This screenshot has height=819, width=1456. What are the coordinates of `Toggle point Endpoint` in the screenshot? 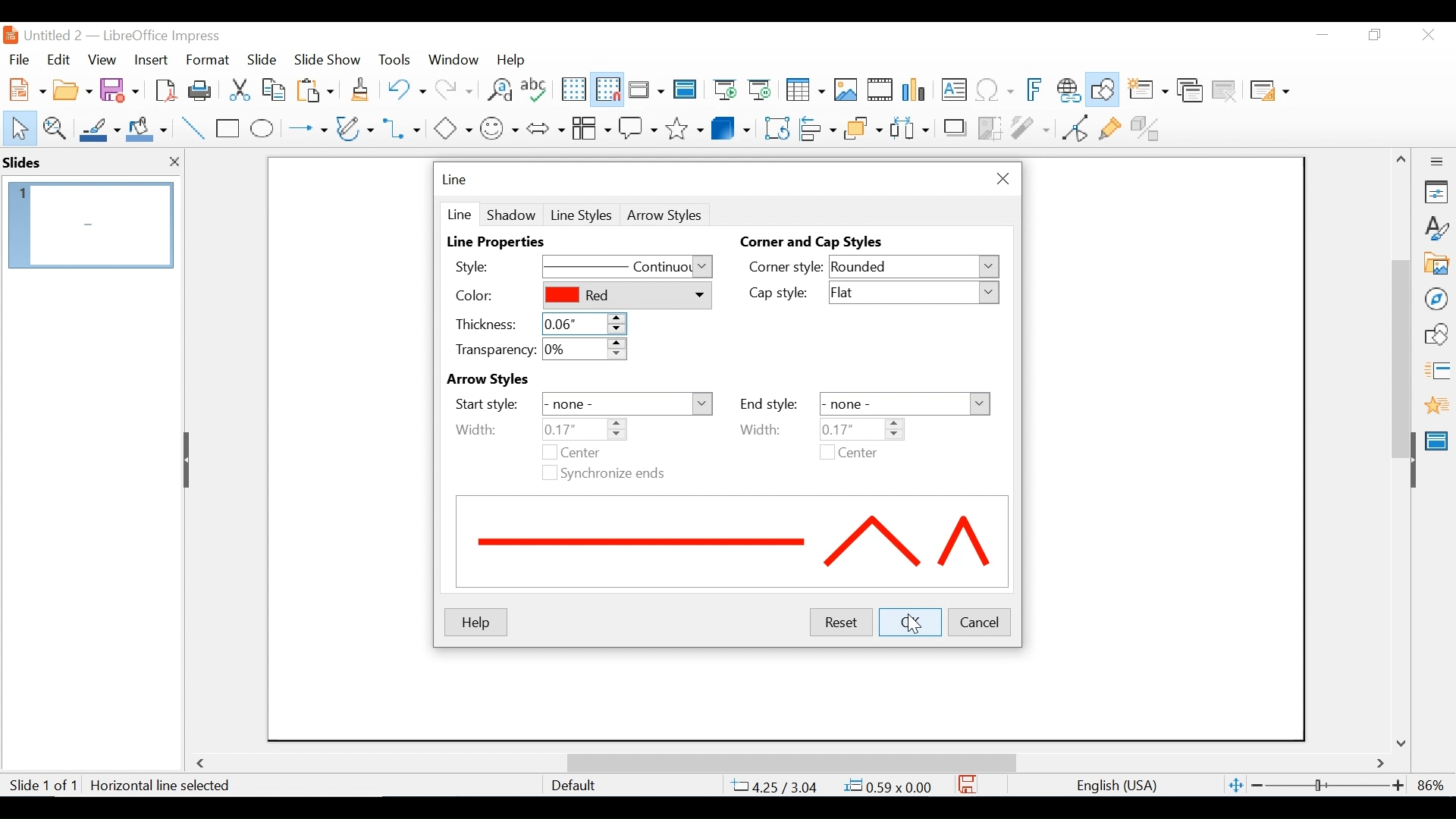 It's located at (1072, 127).